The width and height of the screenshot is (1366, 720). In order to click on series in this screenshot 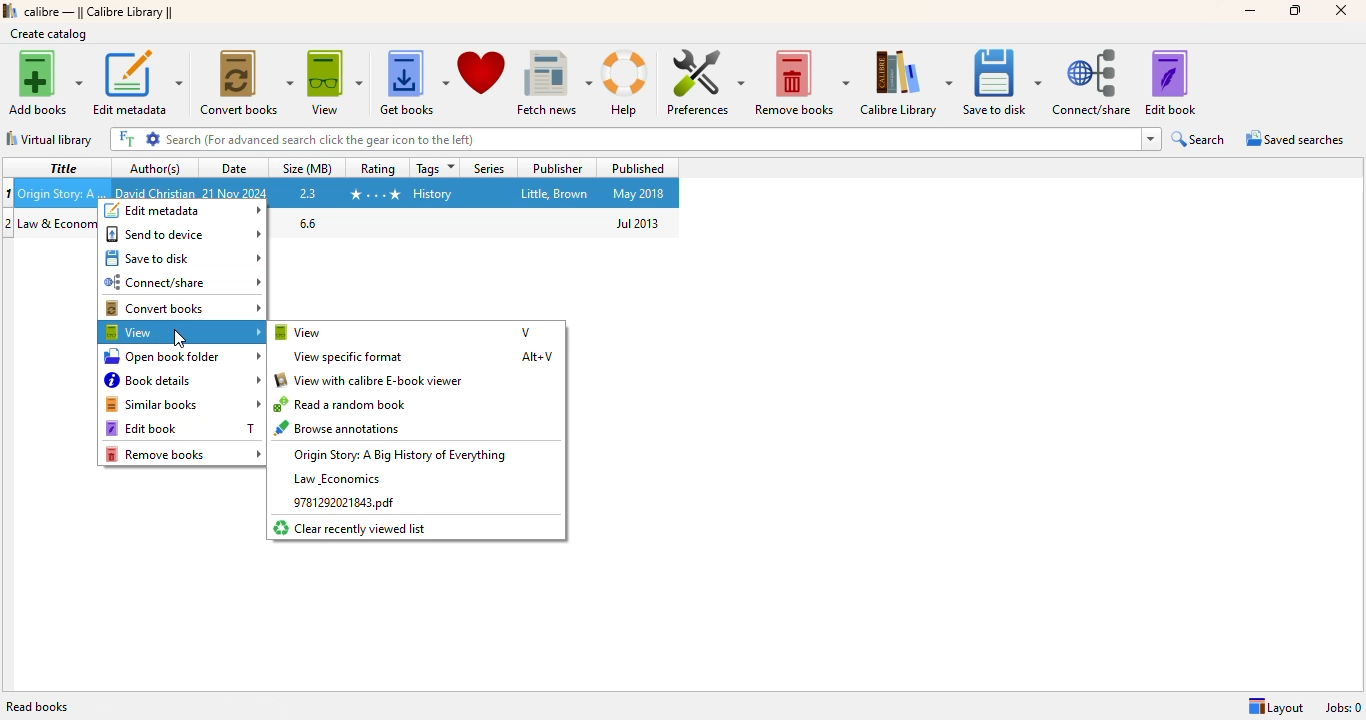, I will do `click(487, 168)`.